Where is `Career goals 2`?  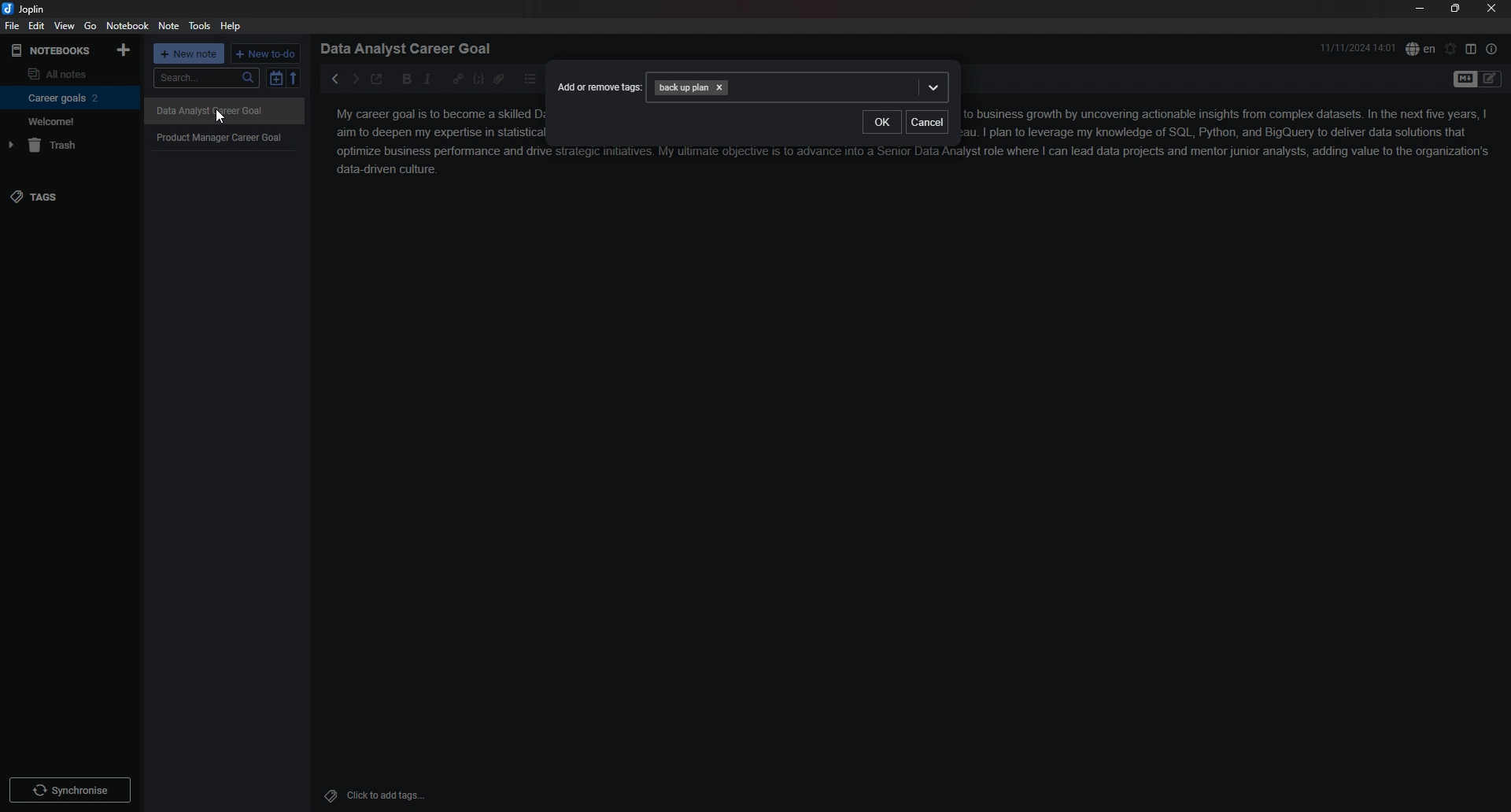 Career goals 2 is located at coordinates (67, 98).